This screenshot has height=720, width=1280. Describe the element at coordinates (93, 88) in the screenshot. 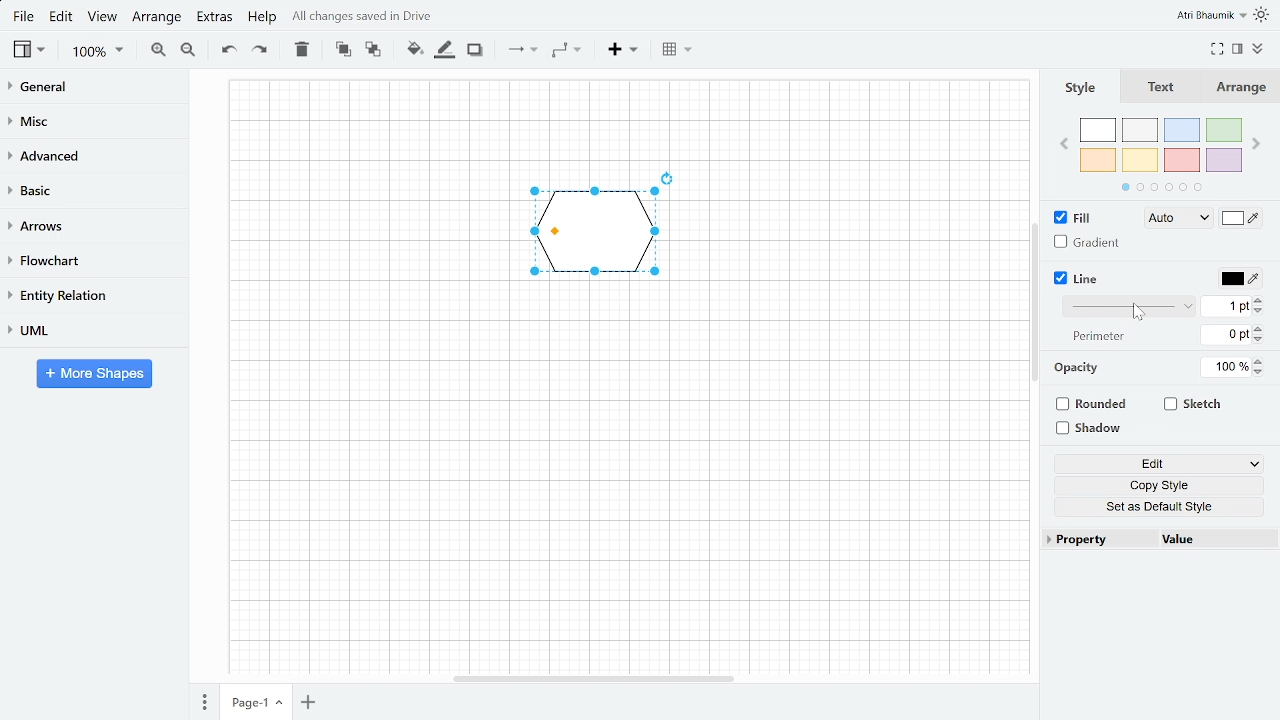

I see `General` at that location.